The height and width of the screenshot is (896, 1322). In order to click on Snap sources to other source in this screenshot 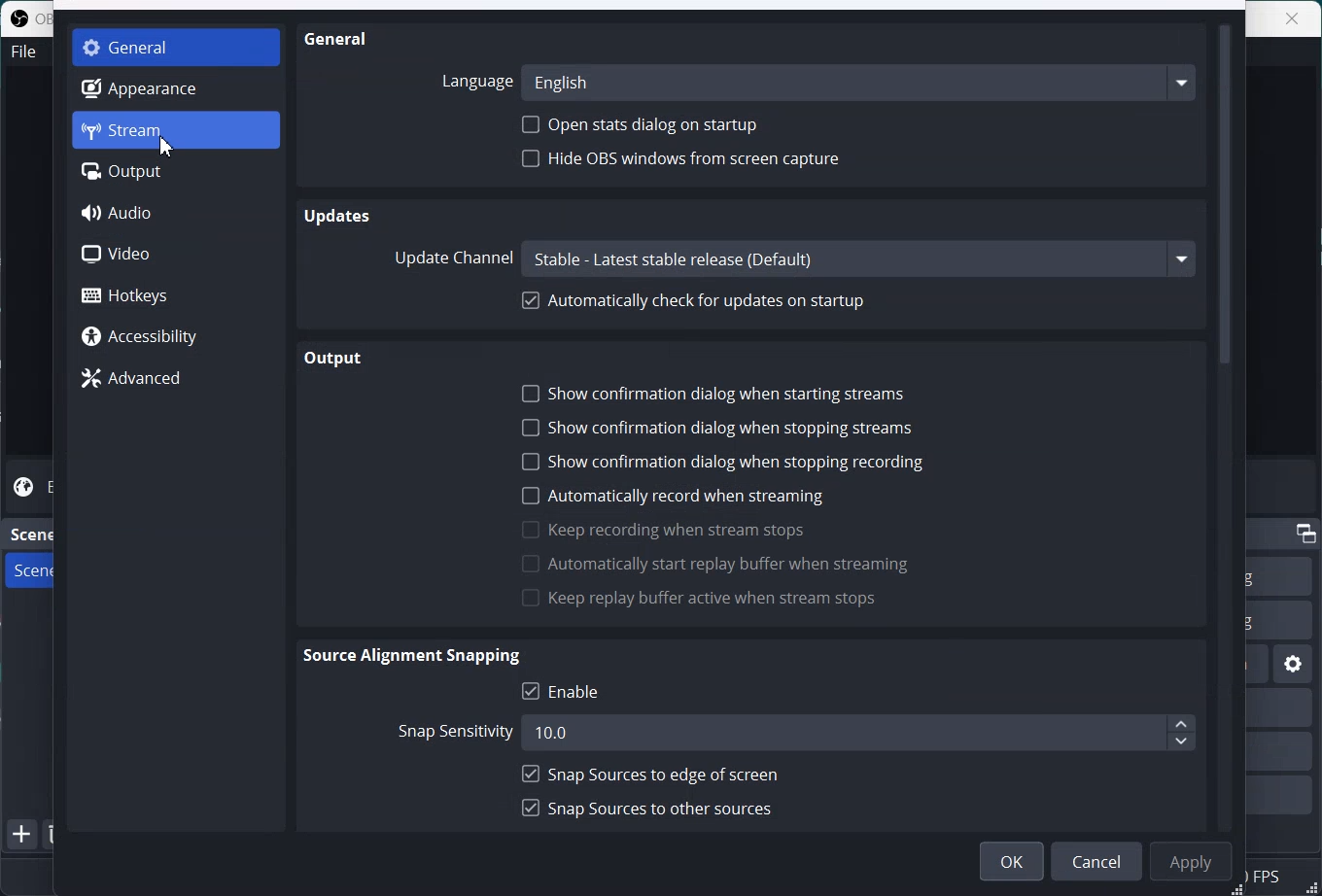, I will do `click(644, 807)`.